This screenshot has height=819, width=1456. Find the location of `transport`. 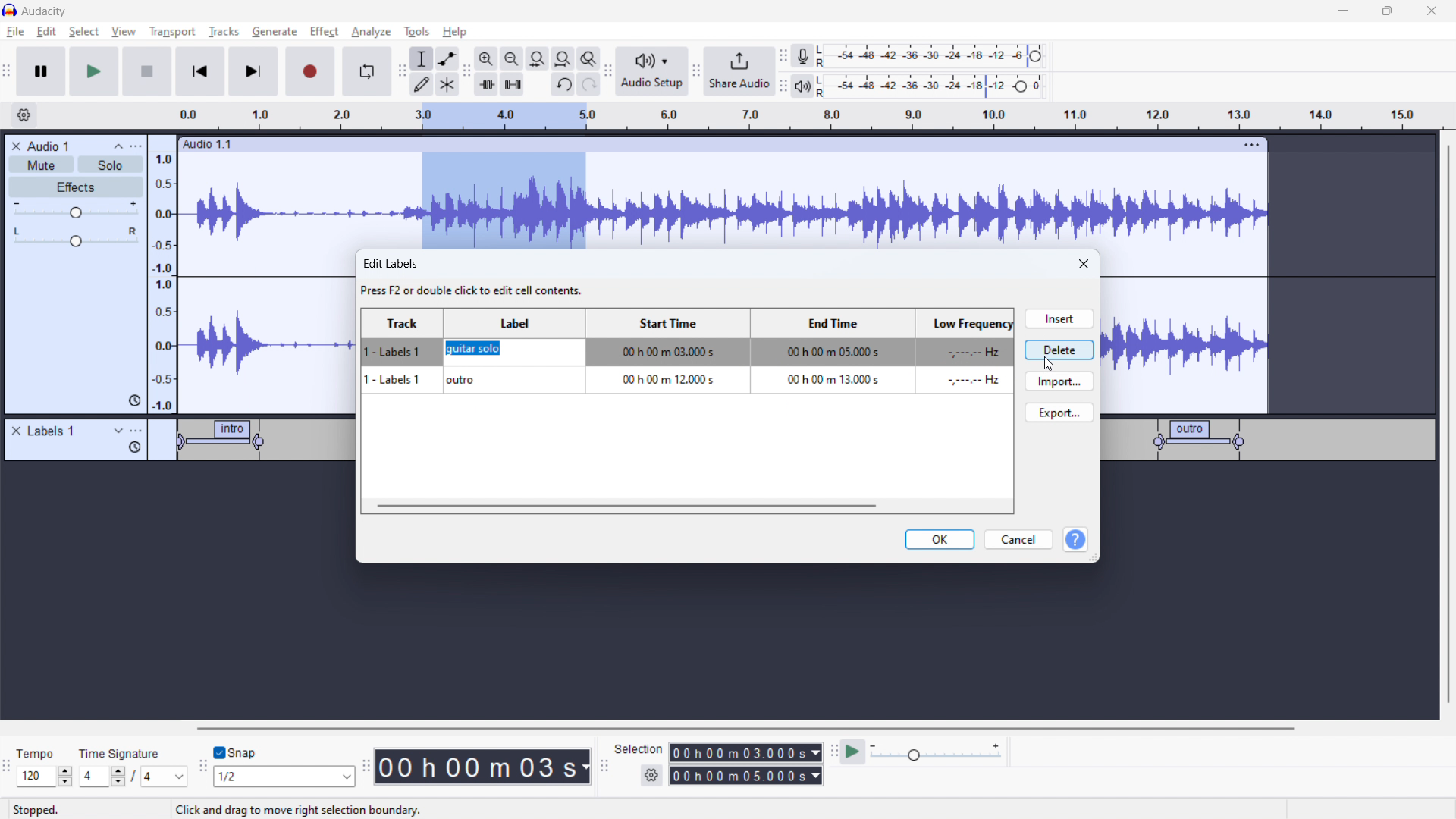

transport is located at coordinates (172, 31).